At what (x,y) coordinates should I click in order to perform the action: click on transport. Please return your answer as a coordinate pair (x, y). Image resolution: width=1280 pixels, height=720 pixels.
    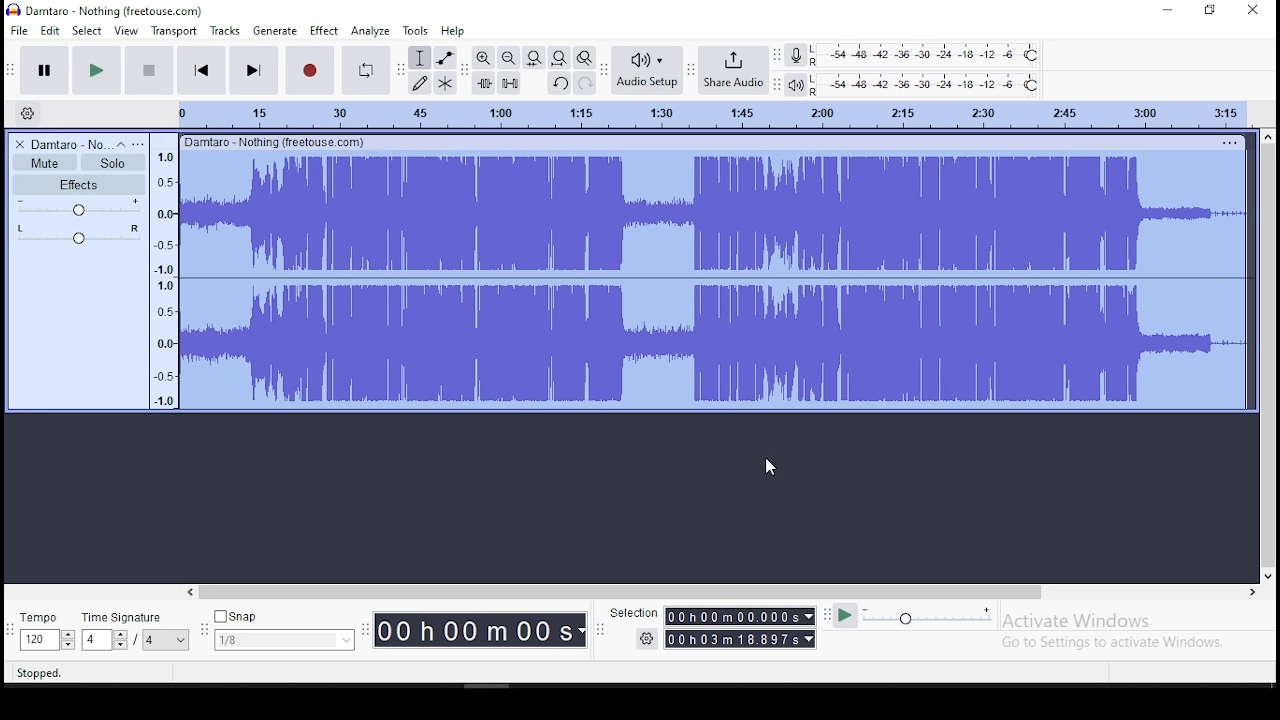
    Looking at the image, I should click on (173, 30).